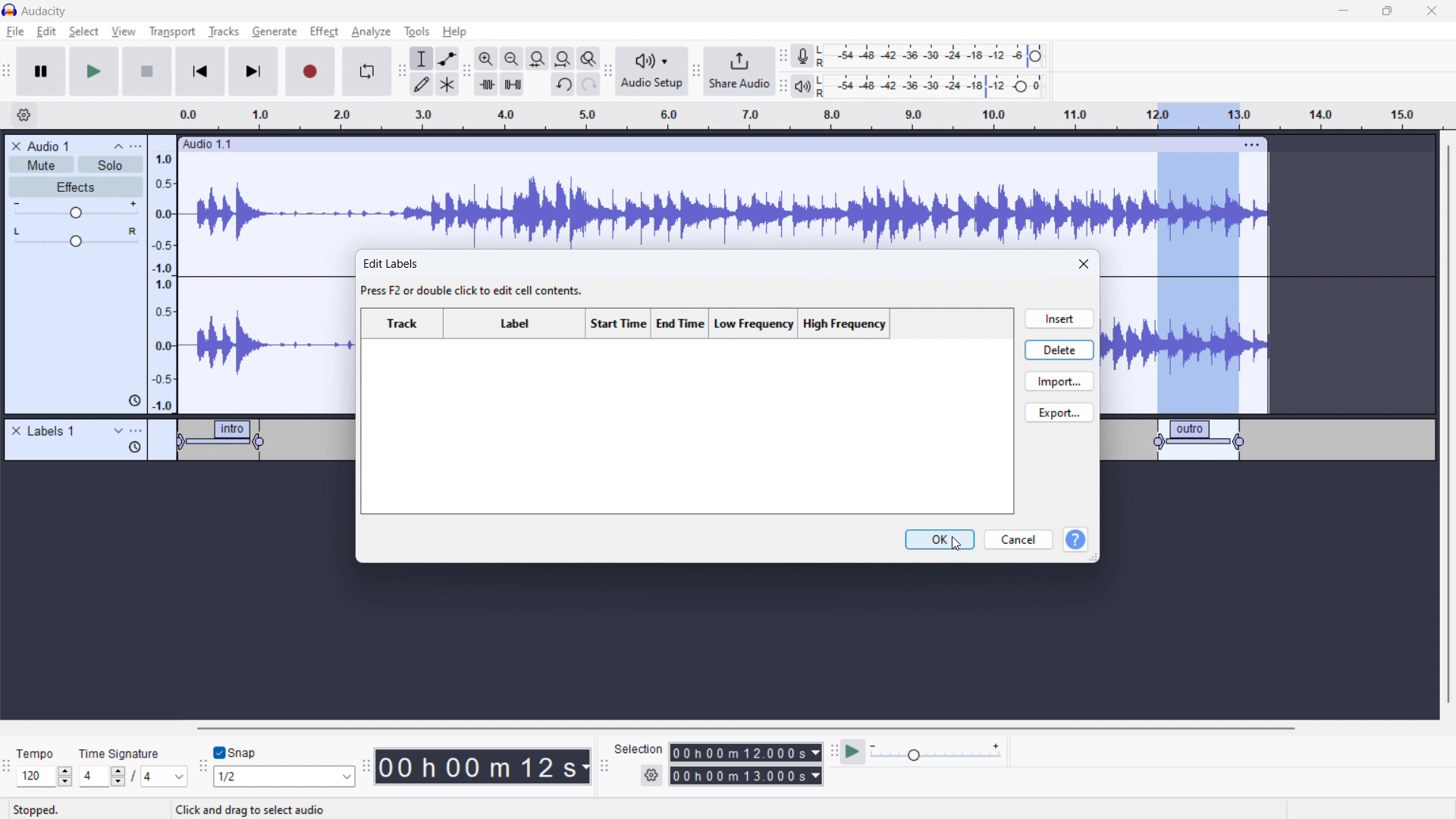 Image resolution: width=1456 pixels, height=819 pixels. I want to click on expand, so click(118, 431).